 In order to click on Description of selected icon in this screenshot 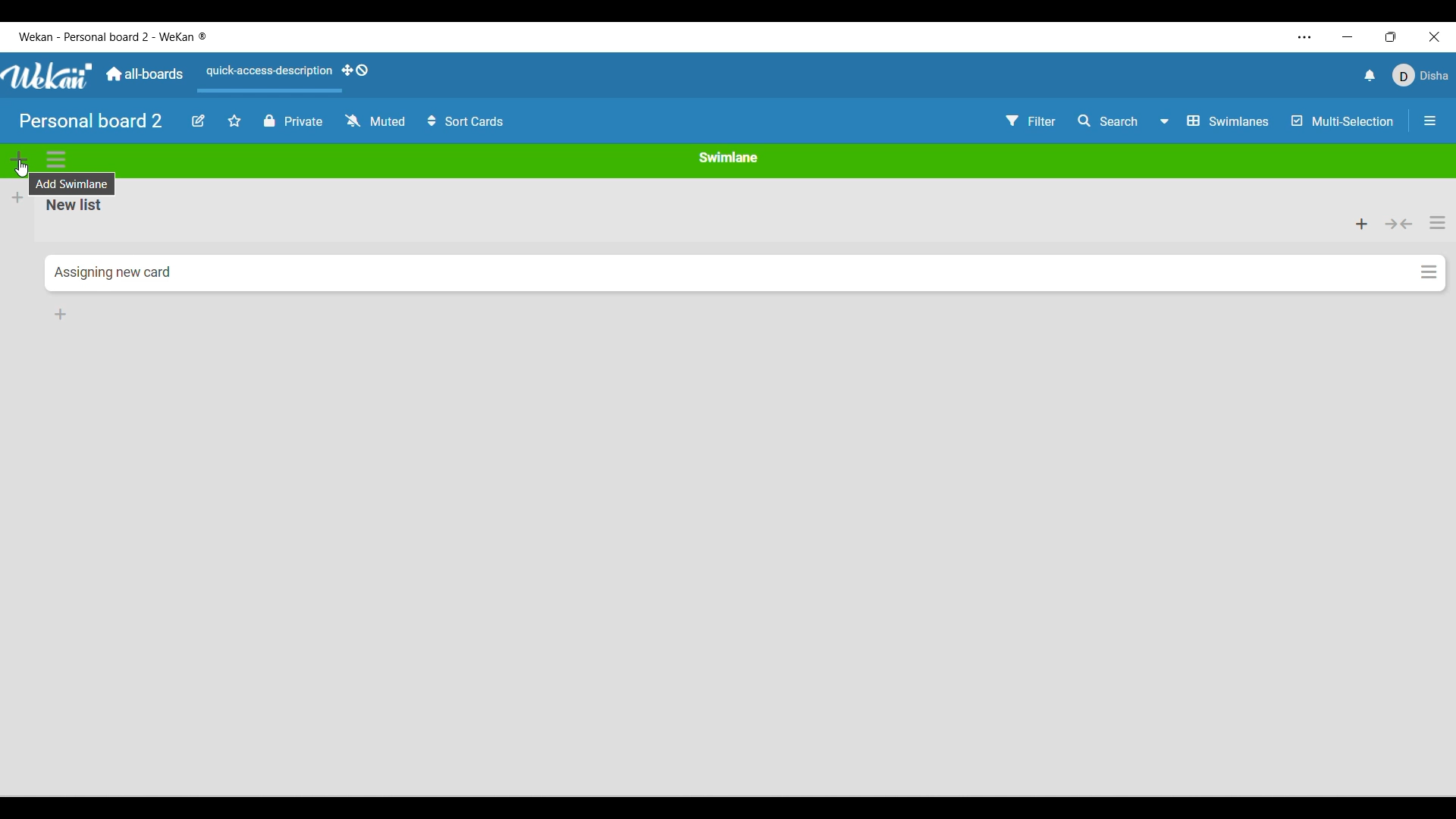, I will do `click(74, 184)`.